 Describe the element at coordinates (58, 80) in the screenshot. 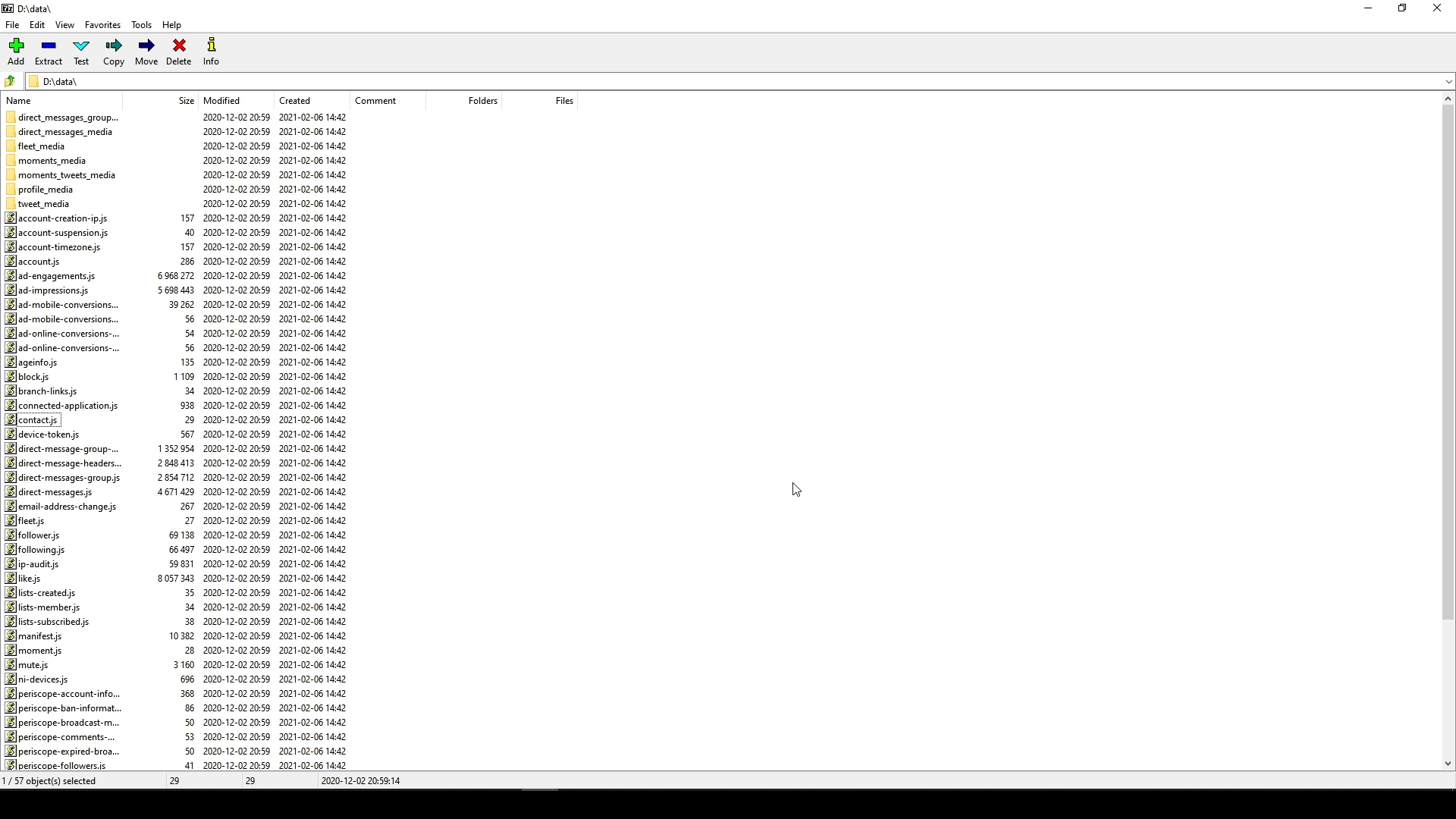

I see `D:\data\` at that location.